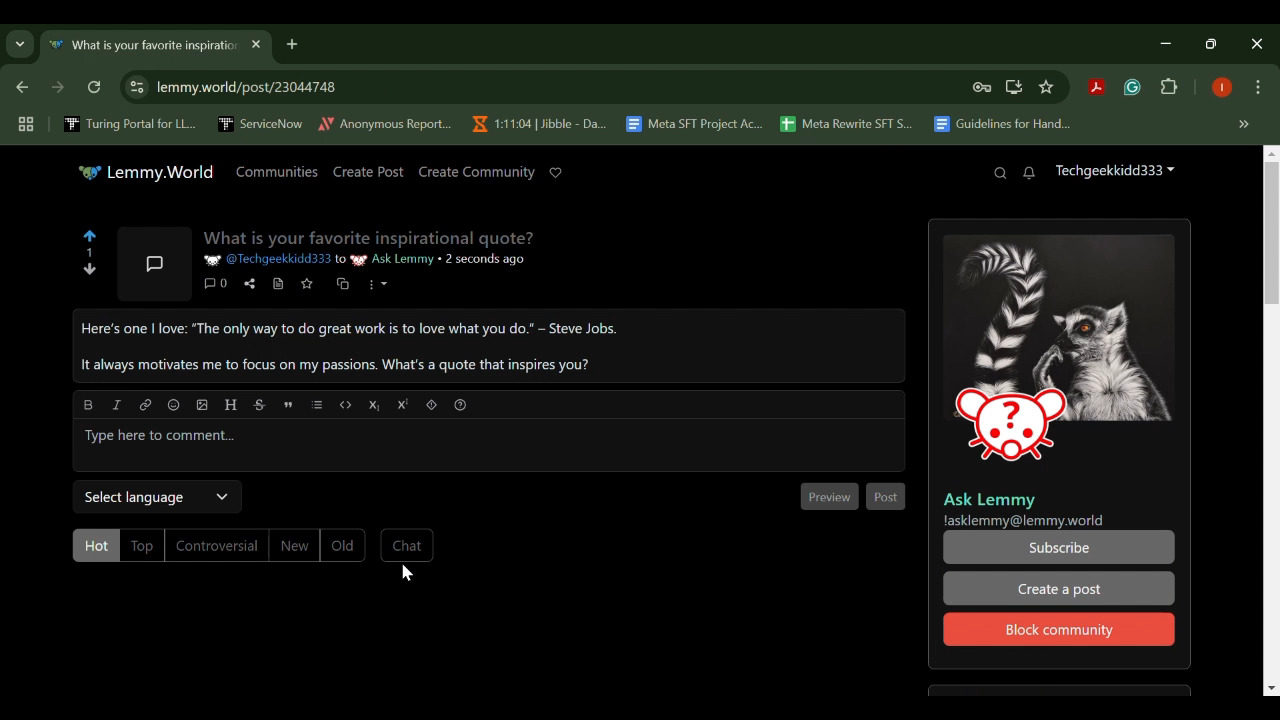 This screenshot has width=1280, height=720. I want to click on Lemmy.World, so click(146, 172).